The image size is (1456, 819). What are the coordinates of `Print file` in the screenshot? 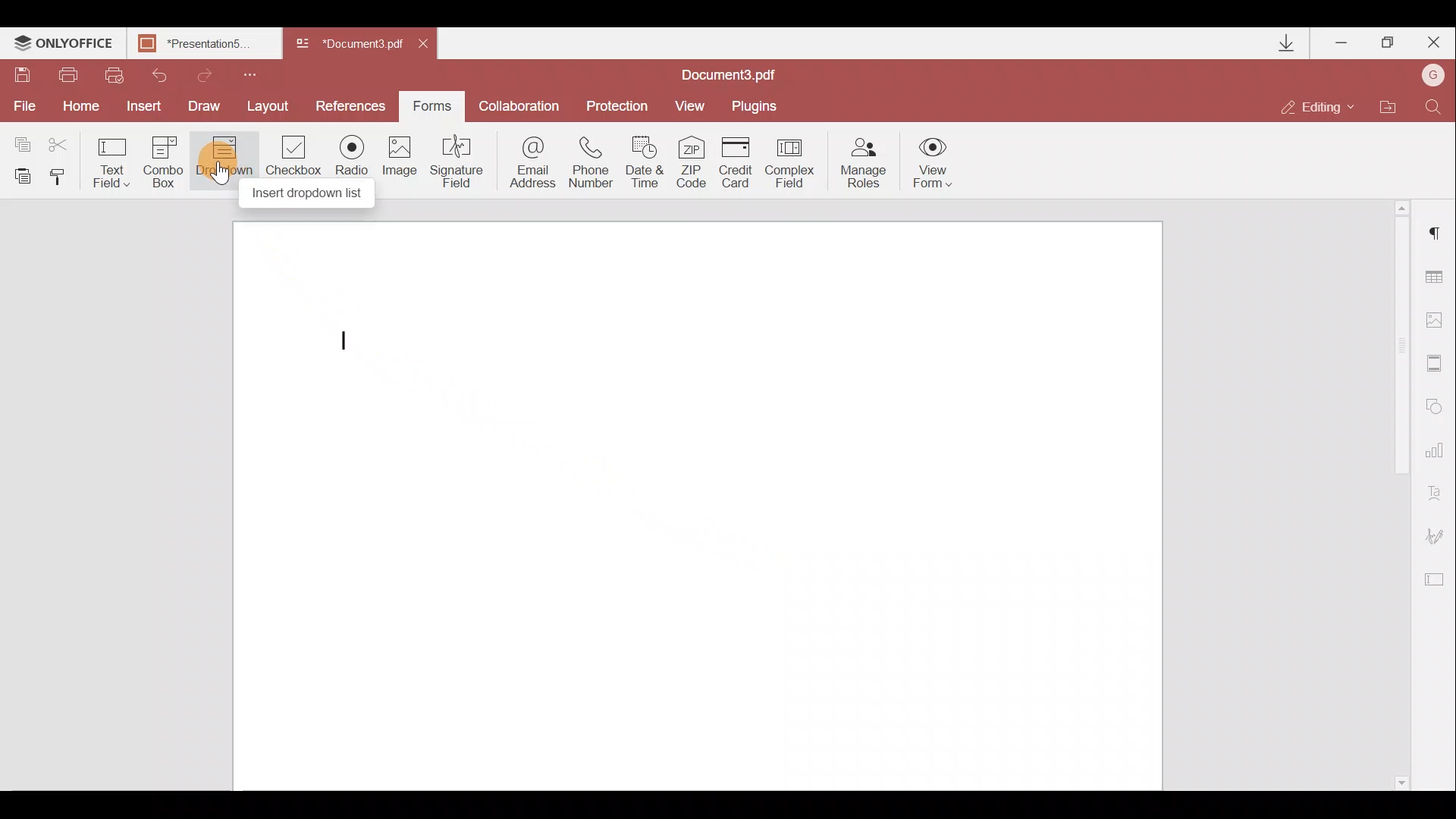 It's located at (73, 75).